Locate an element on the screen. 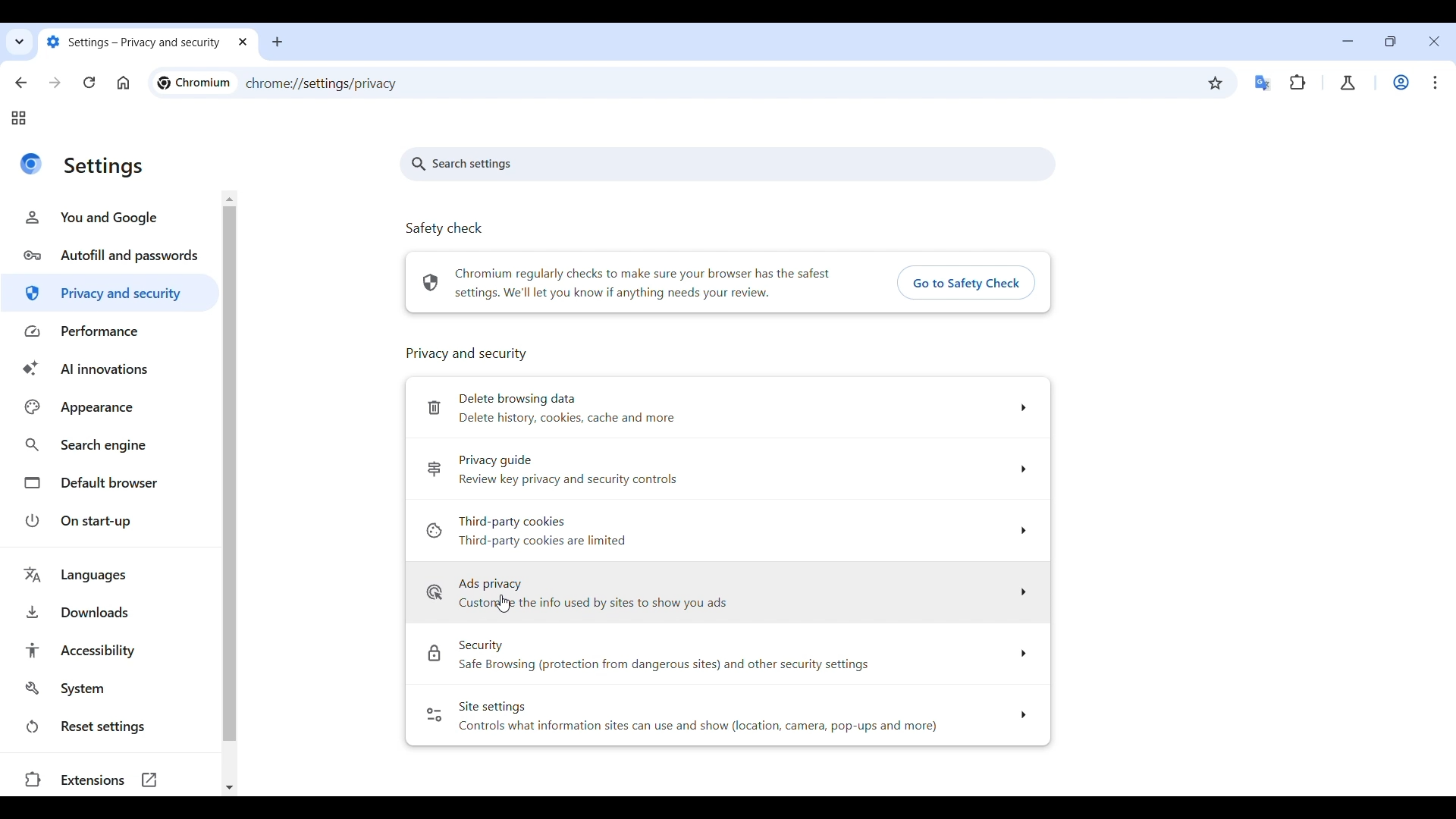 Image resolution: width=1456 pixels, height=819 pixels. Tab groups  is located at coordinates (19, 118).